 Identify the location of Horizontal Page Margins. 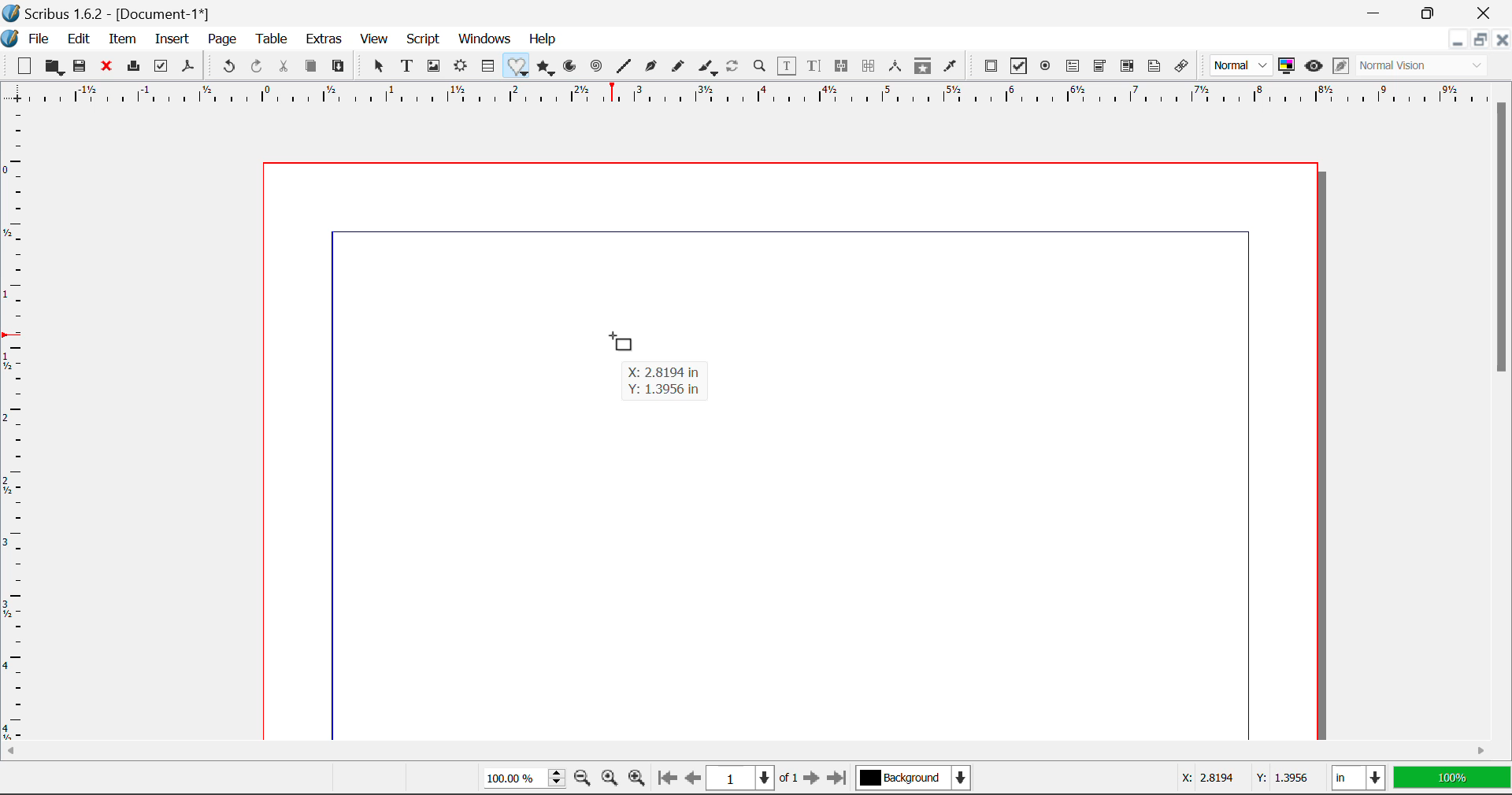
(14, 427).